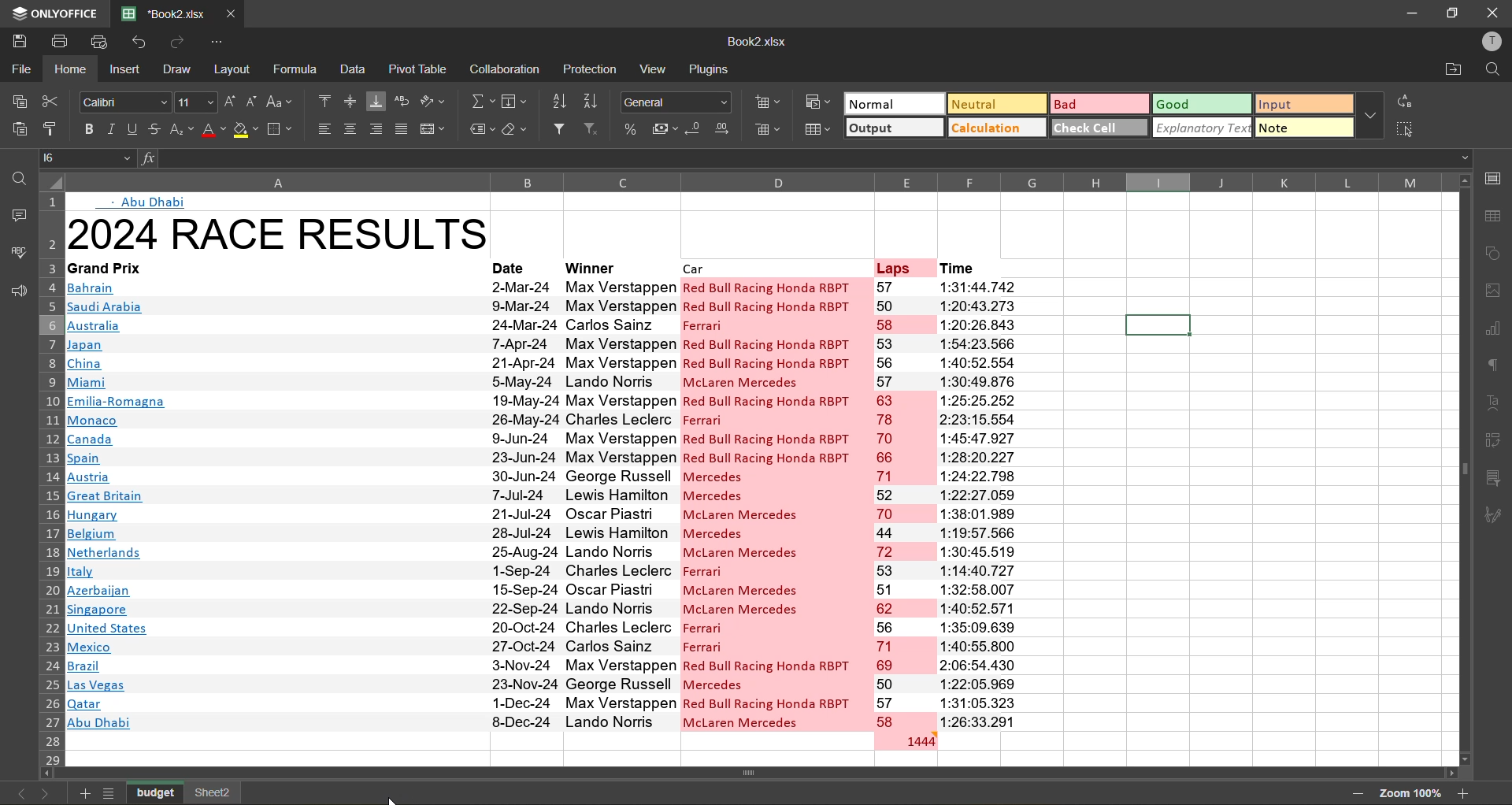  What do you see at coordinates (754, 41) in the screenshot?
I see `file name` at bounding box center [754, 41].